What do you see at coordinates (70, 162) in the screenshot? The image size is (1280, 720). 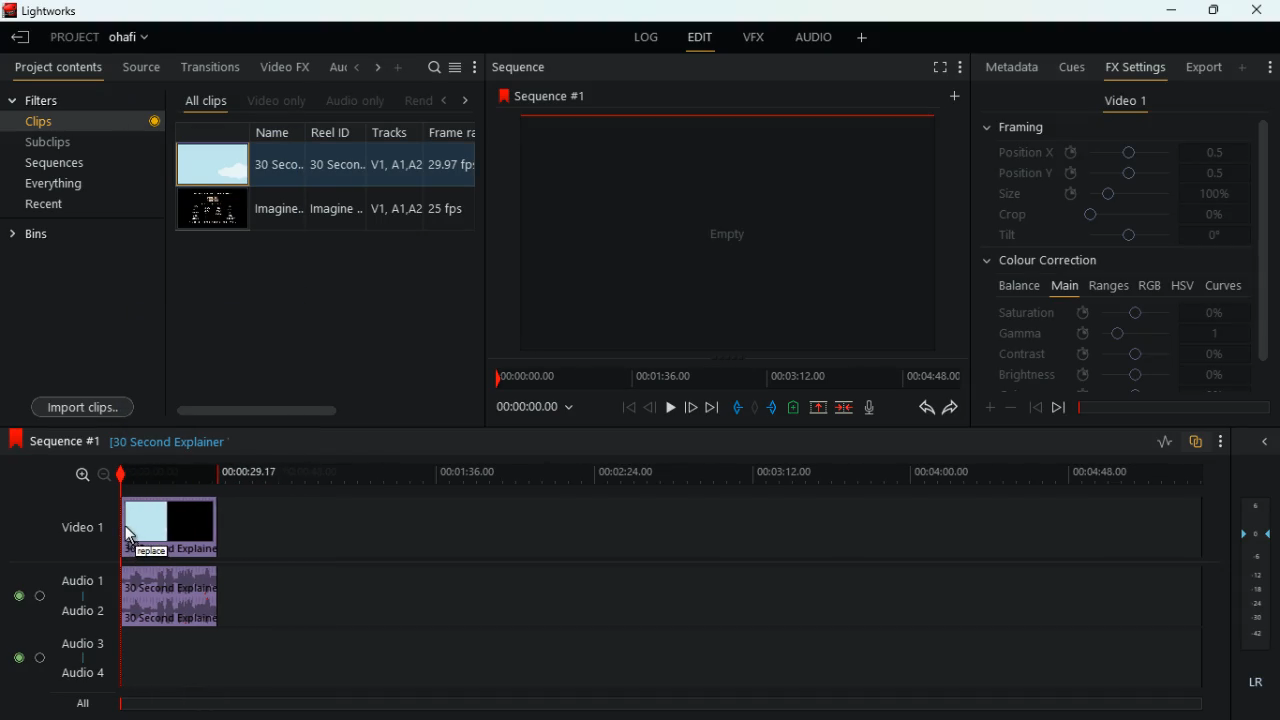 I see `sequences` at bounding box center [70, 162].